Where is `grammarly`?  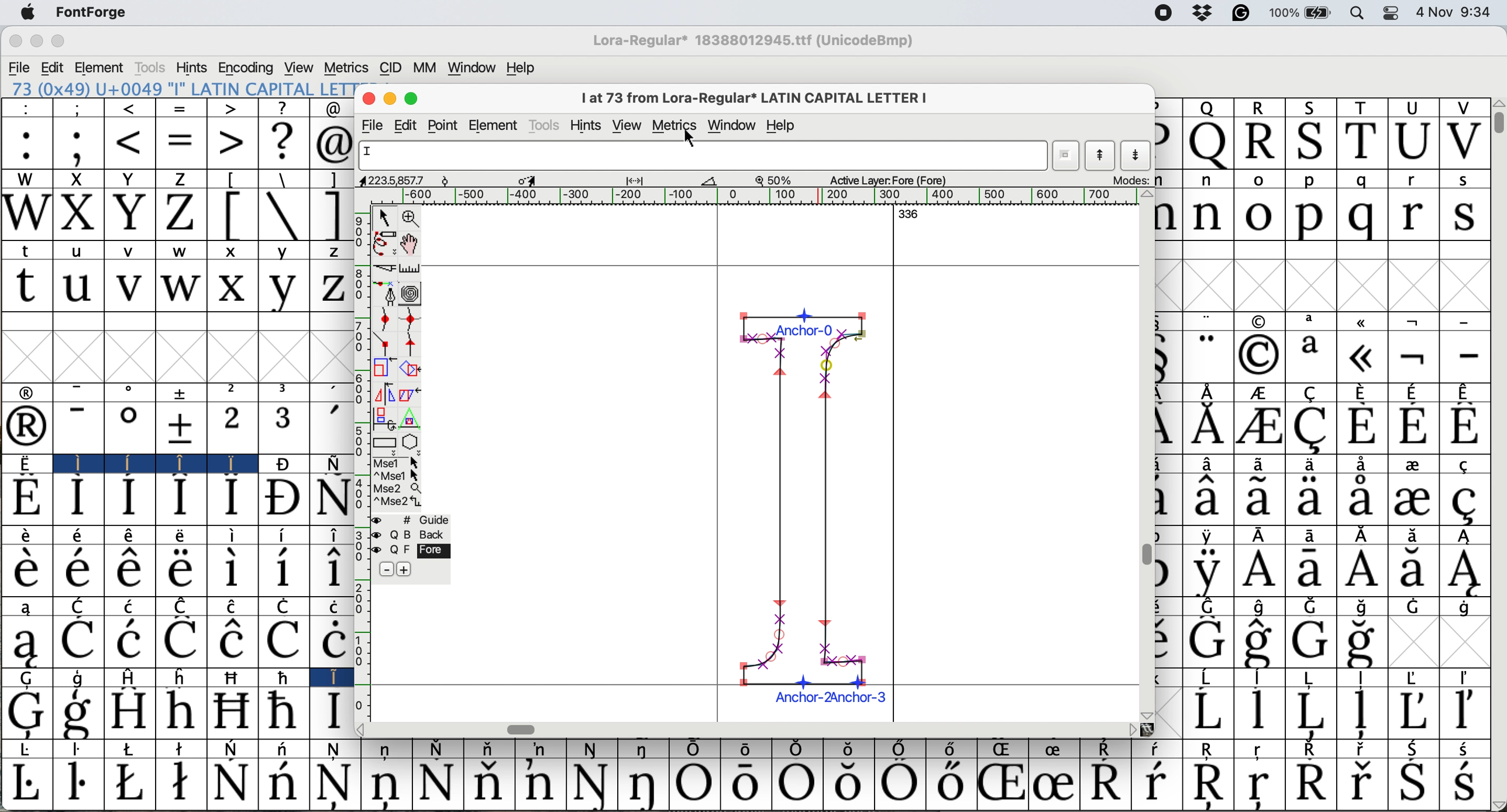 grammarly is located at coordinates (1246, 14).